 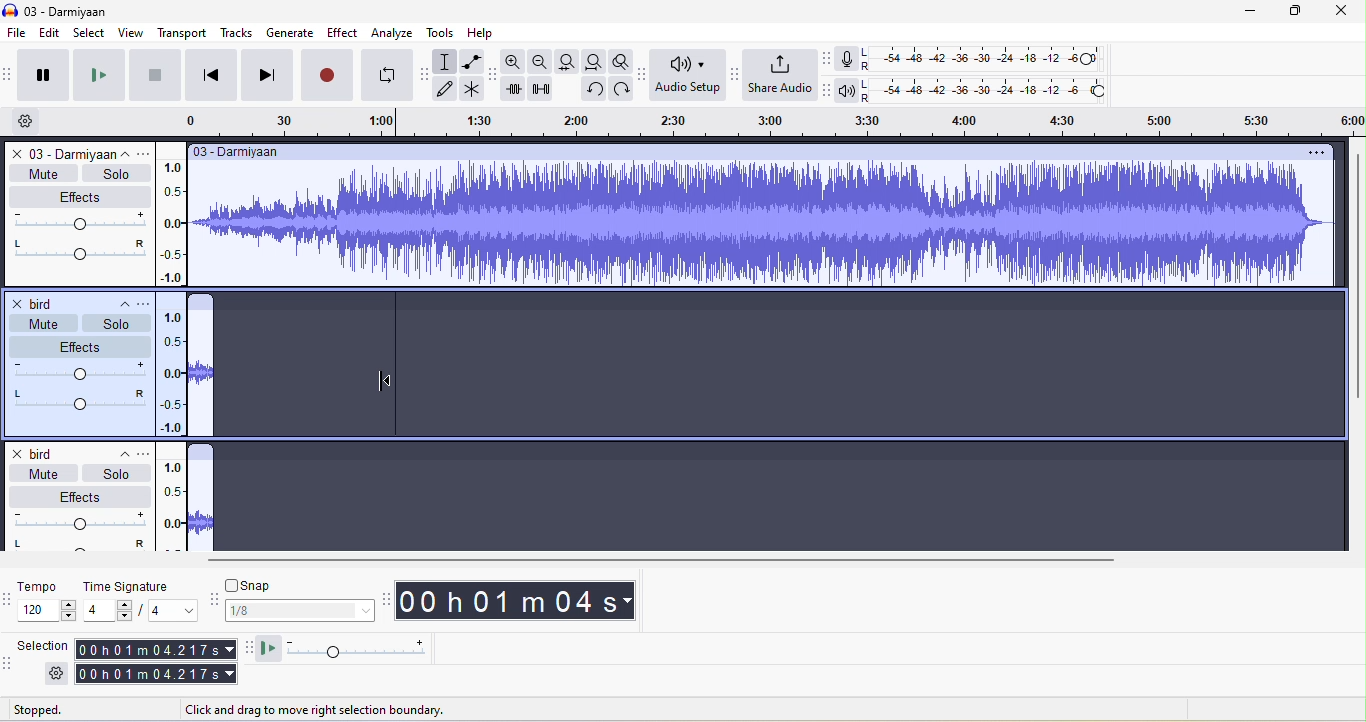 I want to click on pan:center, so click(x=77, y=546).